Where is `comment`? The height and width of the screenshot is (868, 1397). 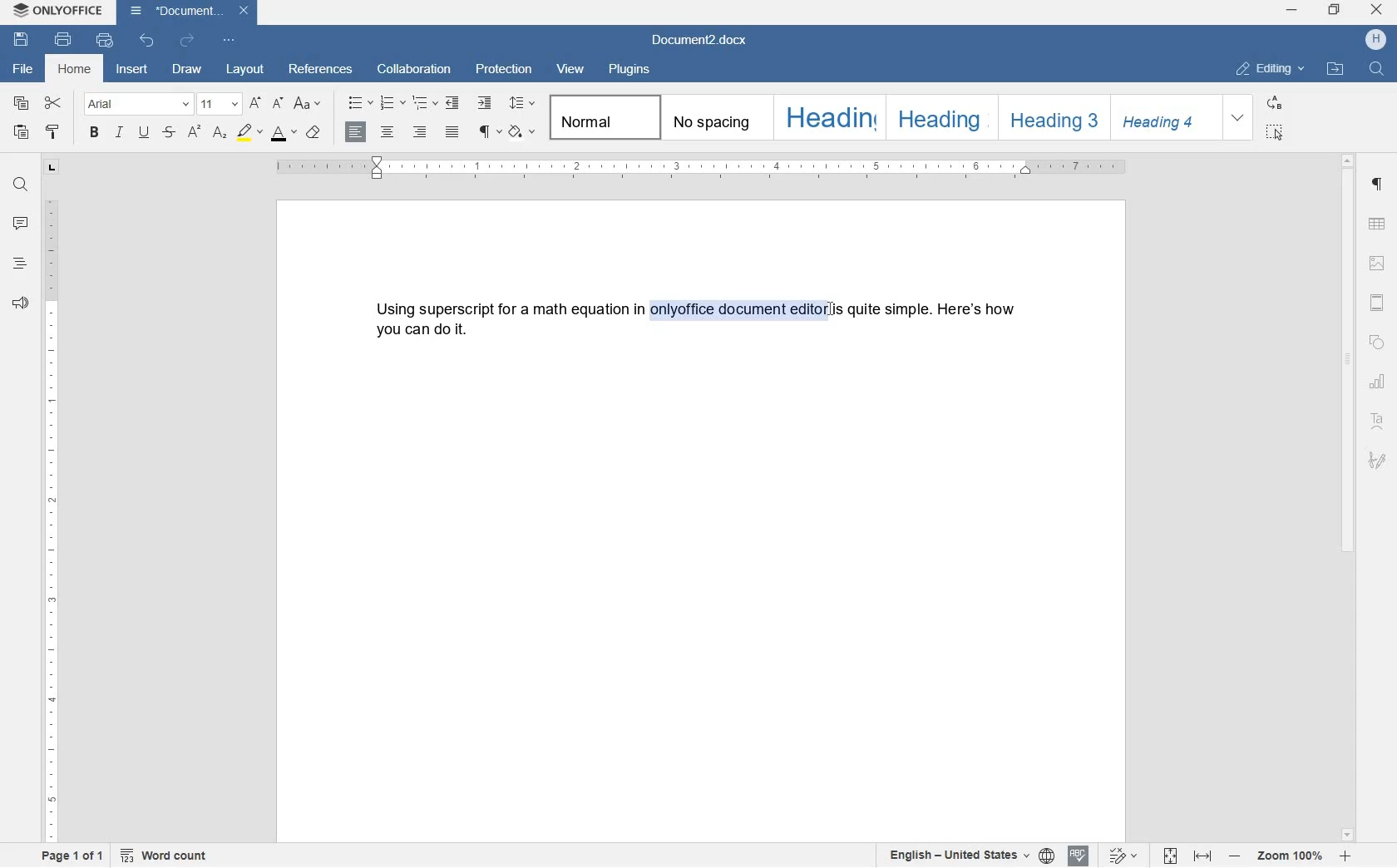 comment is located at coordinates (20, 224).